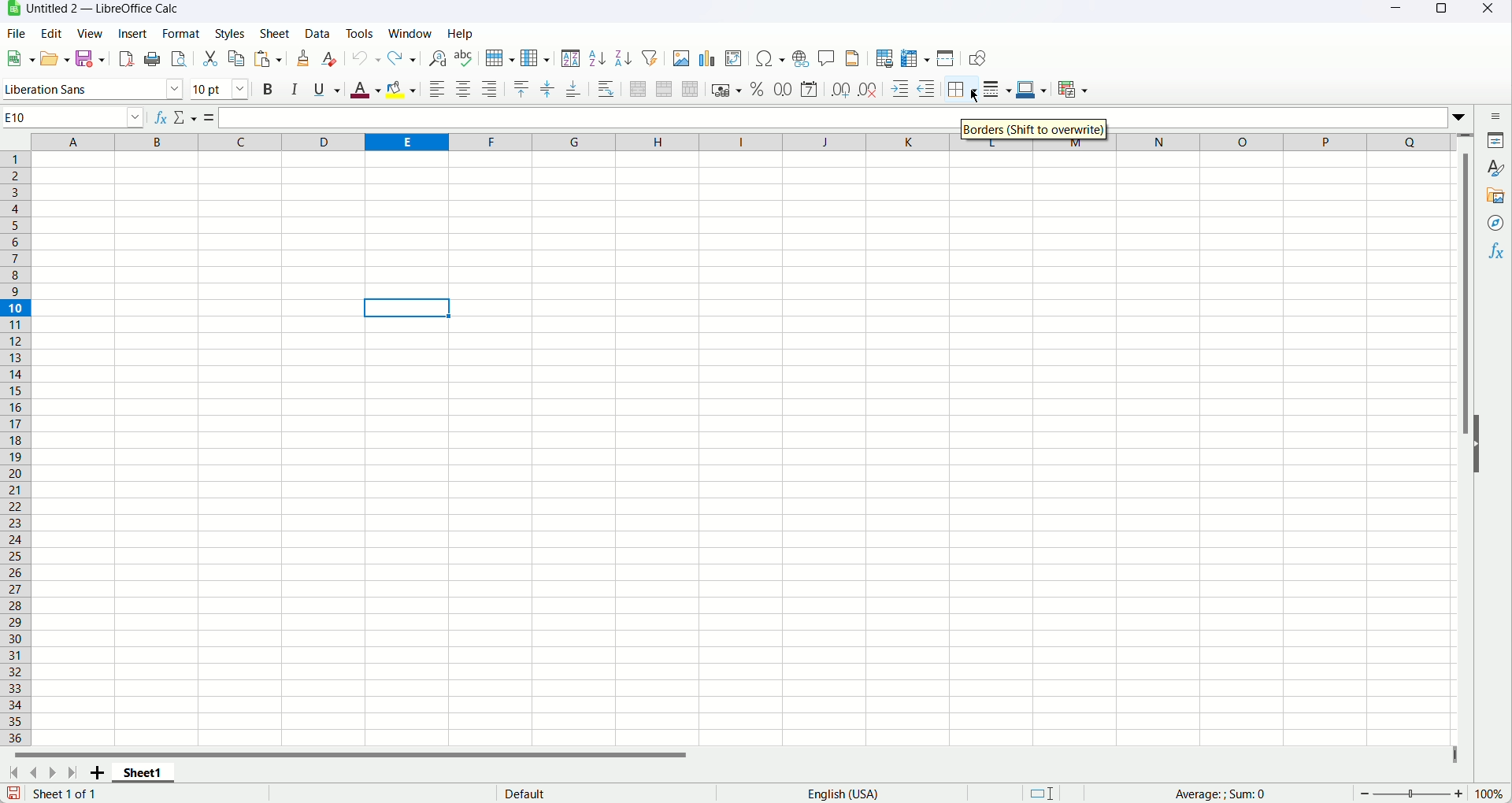  Describe the element at coordinates (977, 94) in the screenshot. I see `Cursor` at that location.